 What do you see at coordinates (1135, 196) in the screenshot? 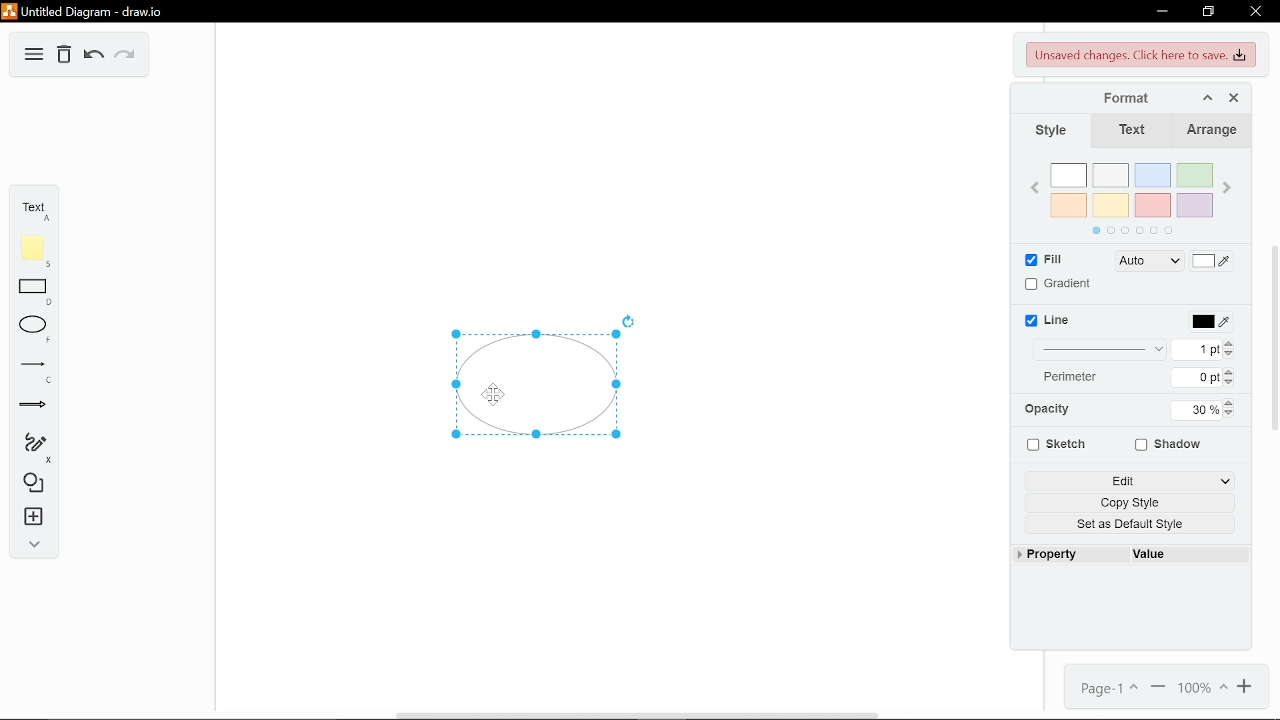
I see `Colors` at bounding box center [1135, 196].